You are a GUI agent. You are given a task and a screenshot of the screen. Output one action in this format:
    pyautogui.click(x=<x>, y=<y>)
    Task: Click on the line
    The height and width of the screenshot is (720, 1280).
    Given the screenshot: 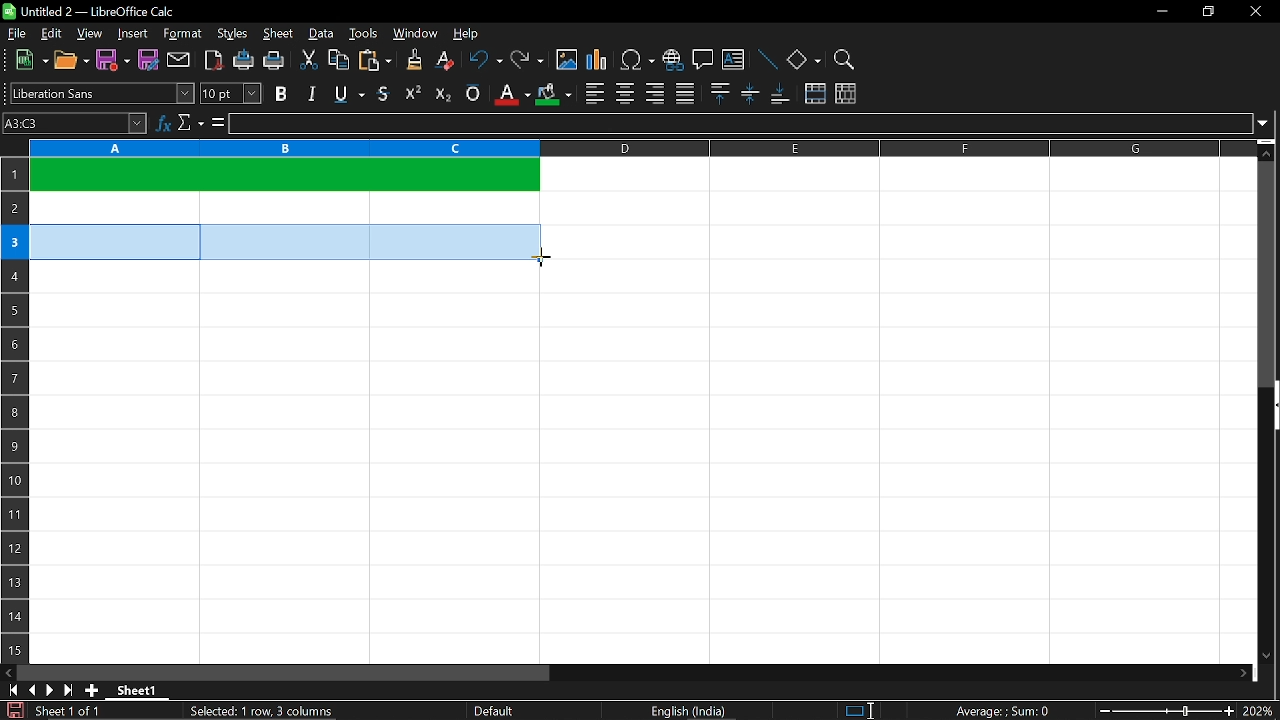 What is the action you would take?
    pyautogui.click(x=767, y=59)
    